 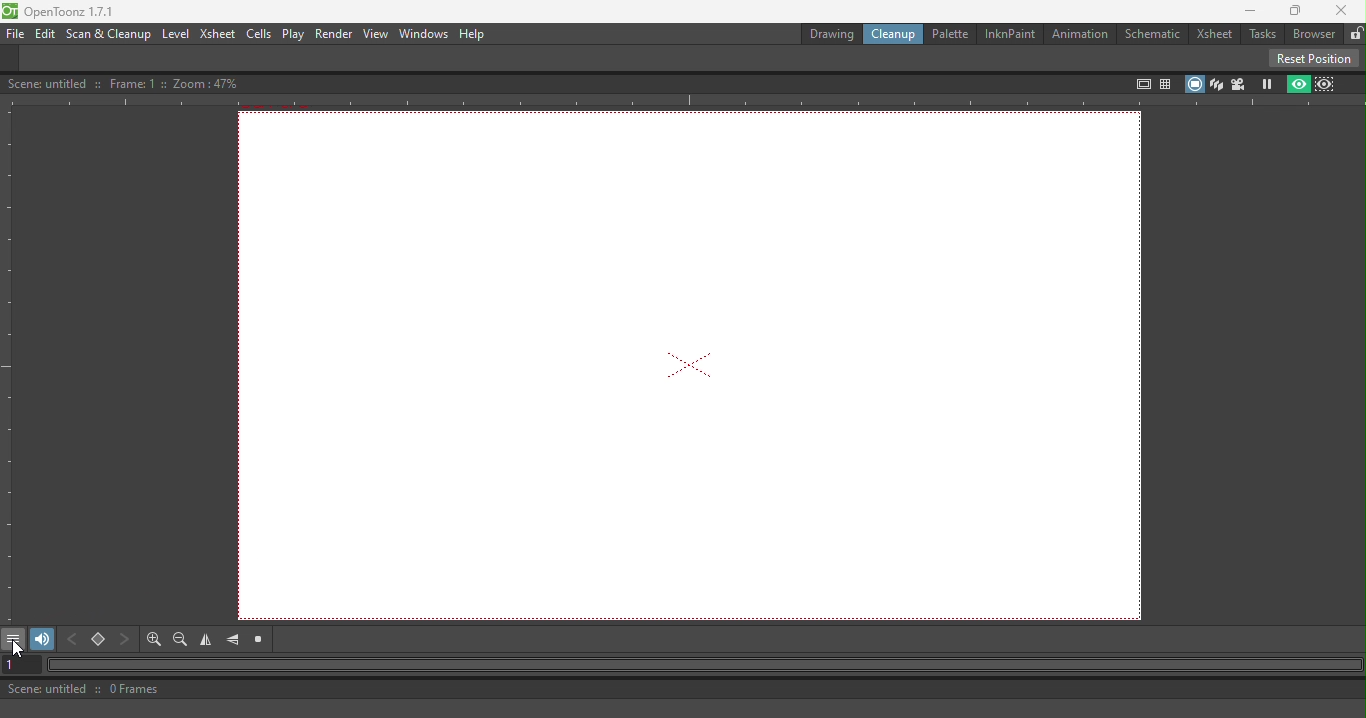 I want to click on Clean up, so click(x=890, y=34).